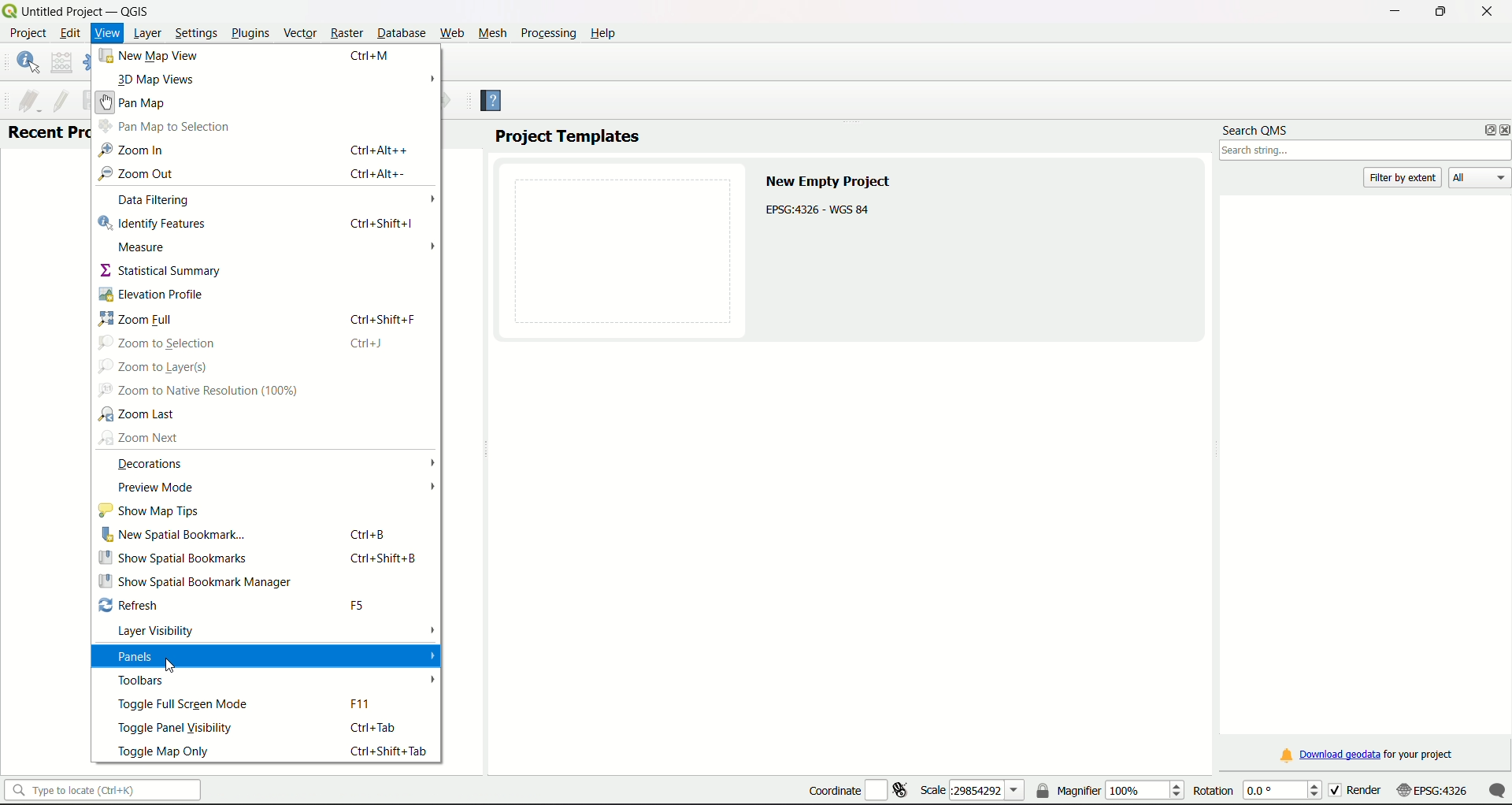 The width and height of the screenshot is (1512, 805). What do you see at coordinates (1255, 128) in the screenshot?
I see `search QMS` at bounding box center [1255, 128].